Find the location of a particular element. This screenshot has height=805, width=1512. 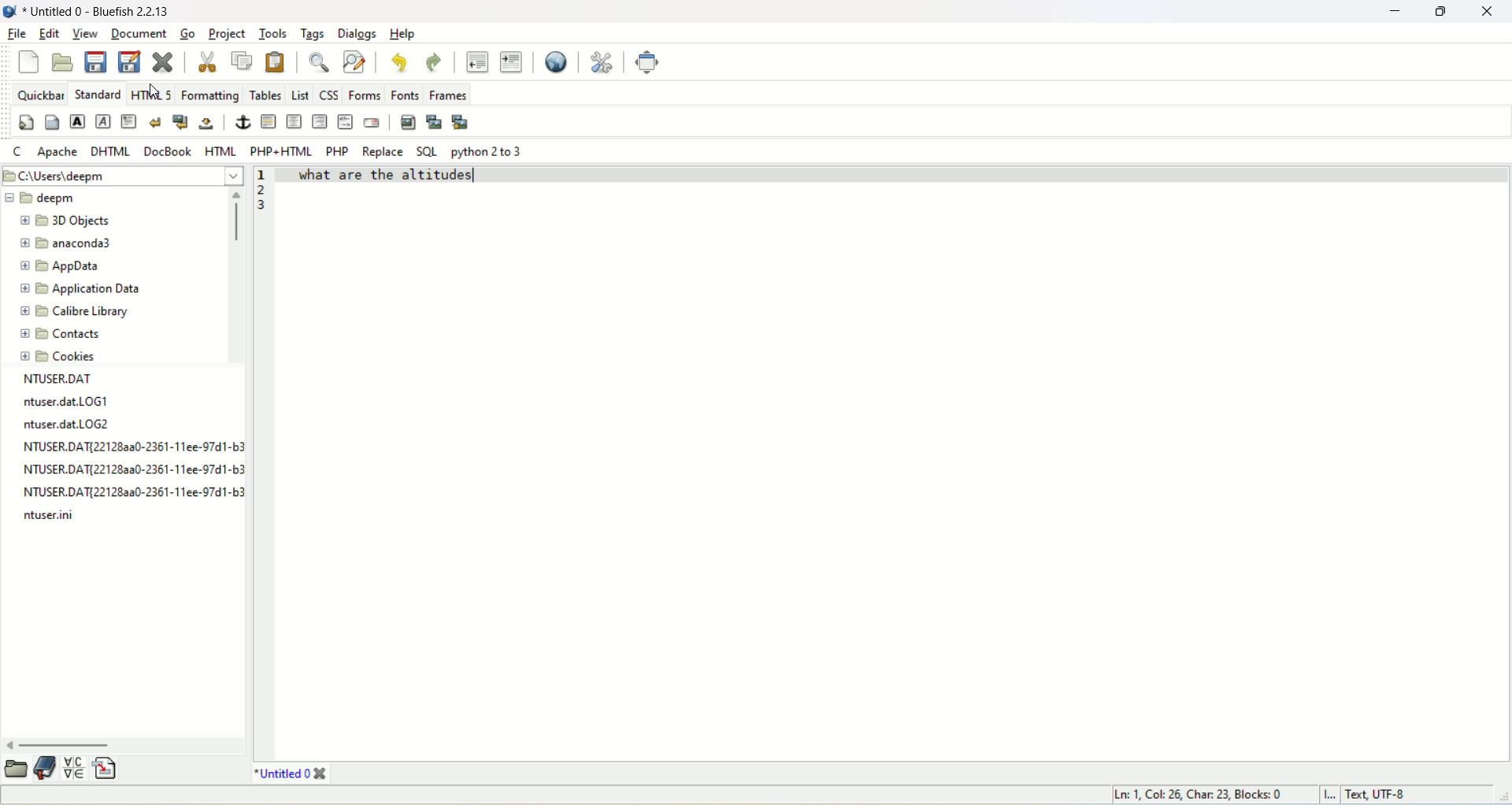

contacts is located at coordinates (65, 333).